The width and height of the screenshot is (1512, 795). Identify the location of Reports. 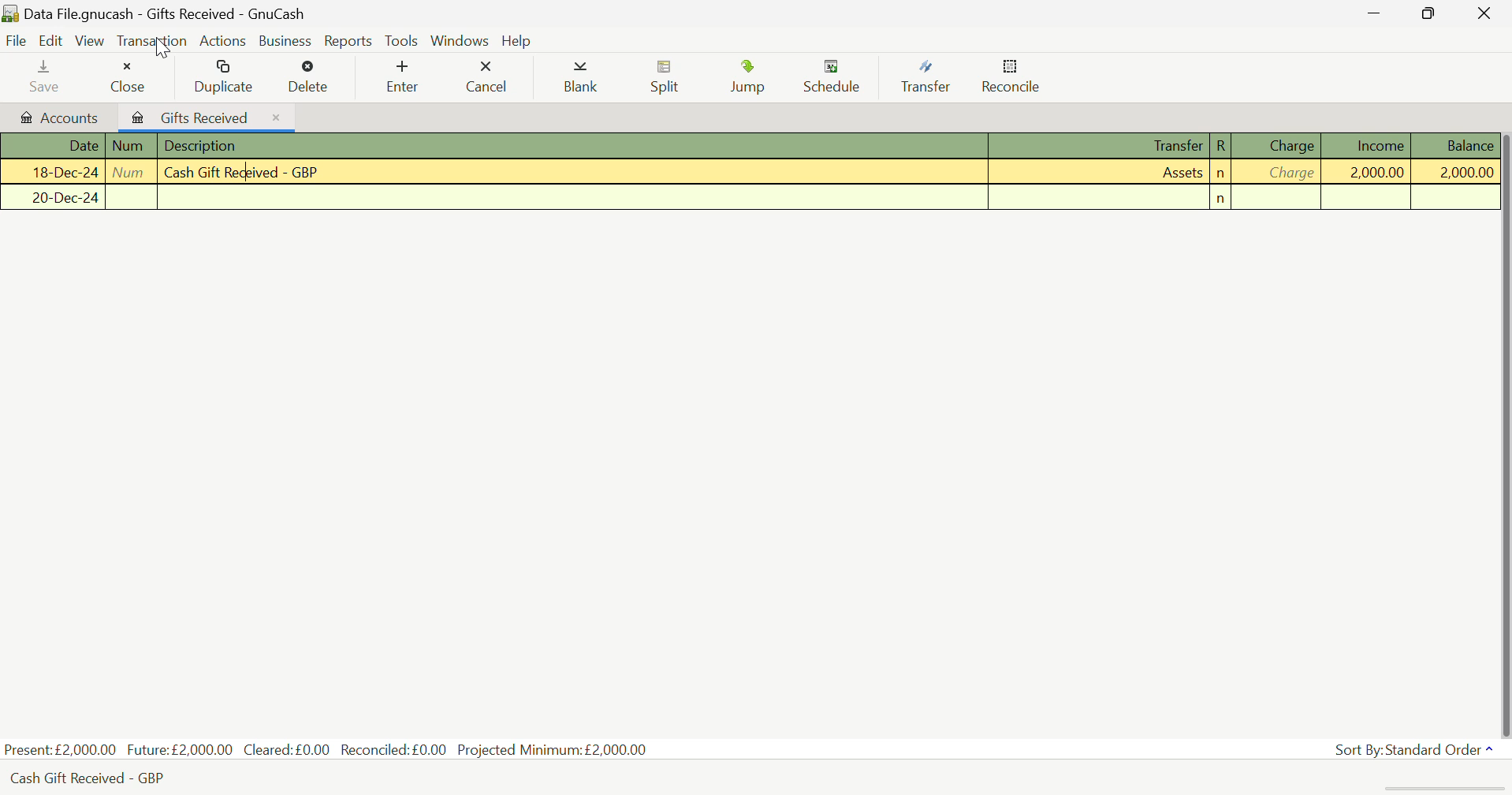
(345, 39).